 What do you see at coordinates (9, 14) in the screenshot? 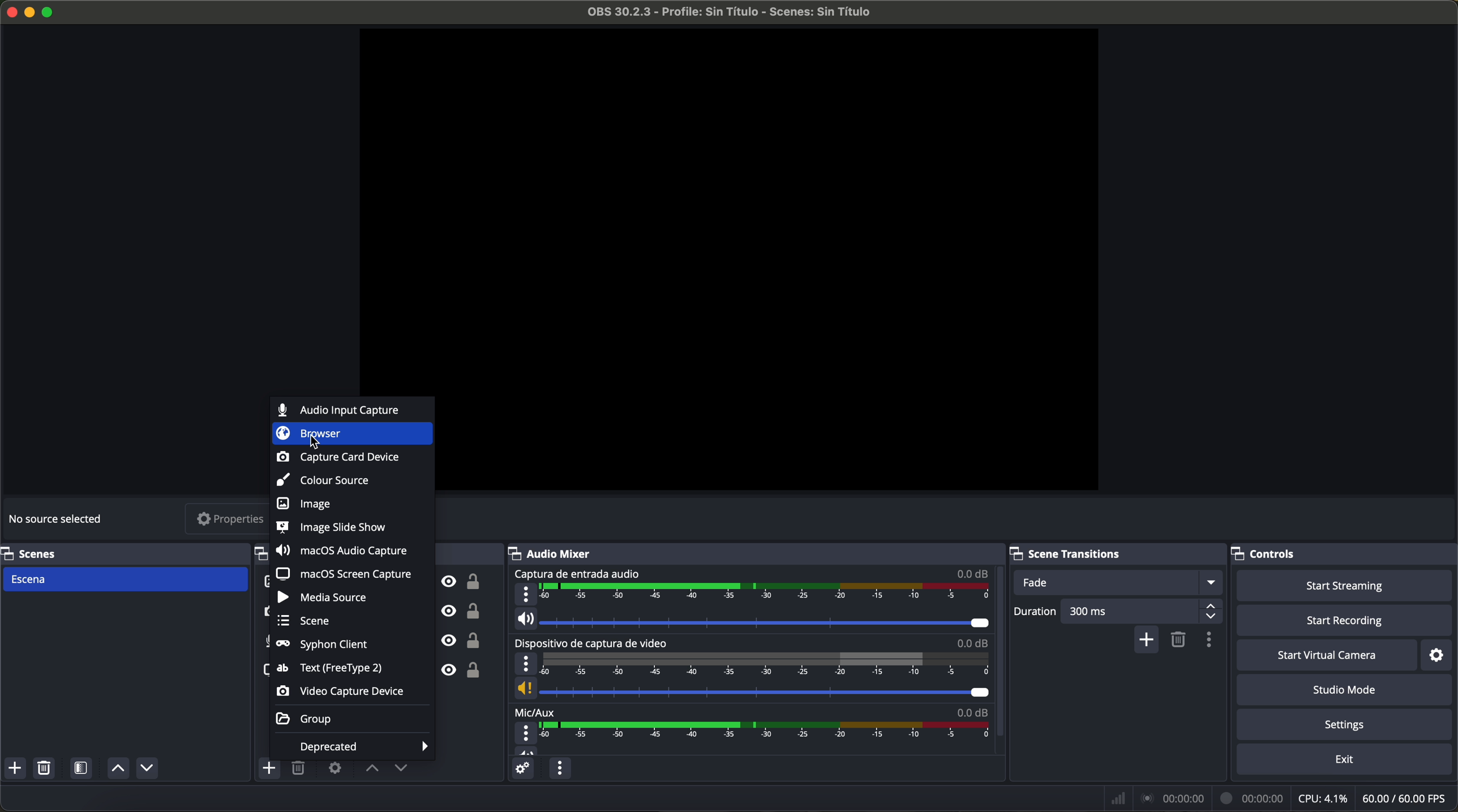
I see `close program` at bounding box center [9, 14].